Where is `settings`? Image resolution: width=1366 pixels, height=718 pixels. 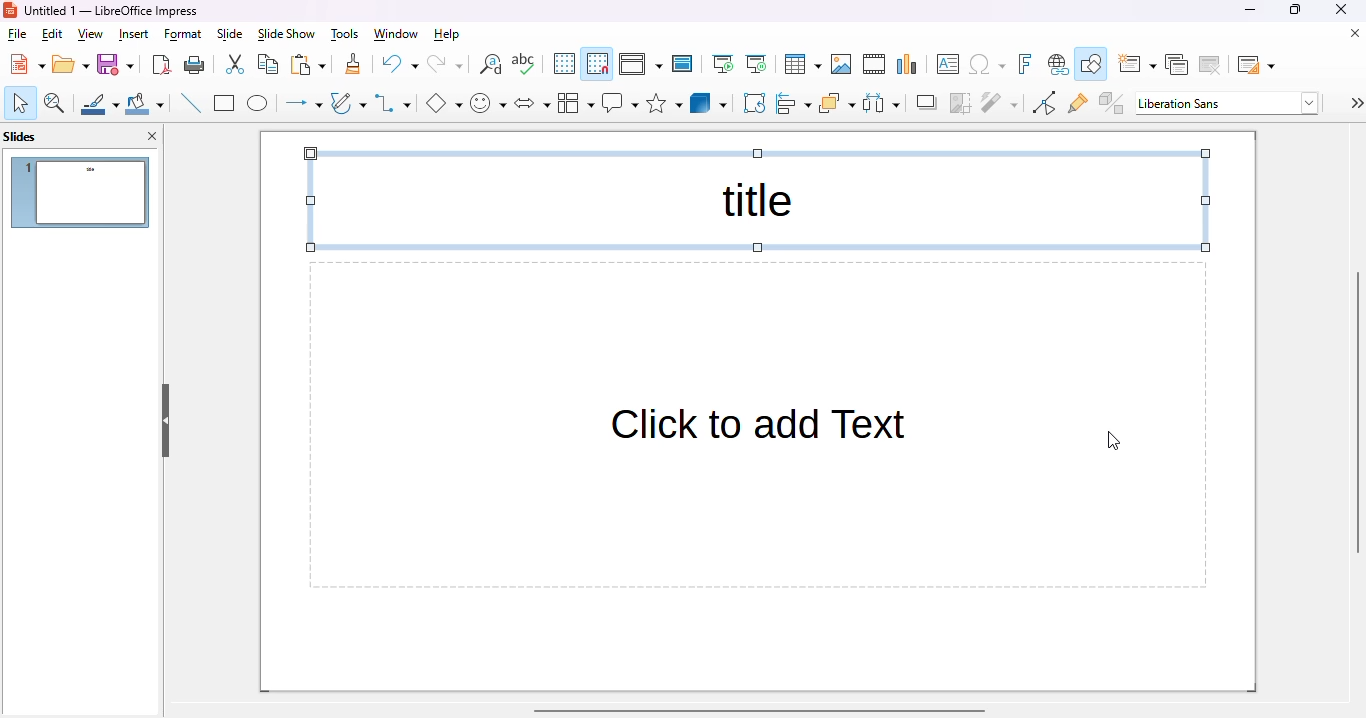 settings is located at coordinates (1355, 103).